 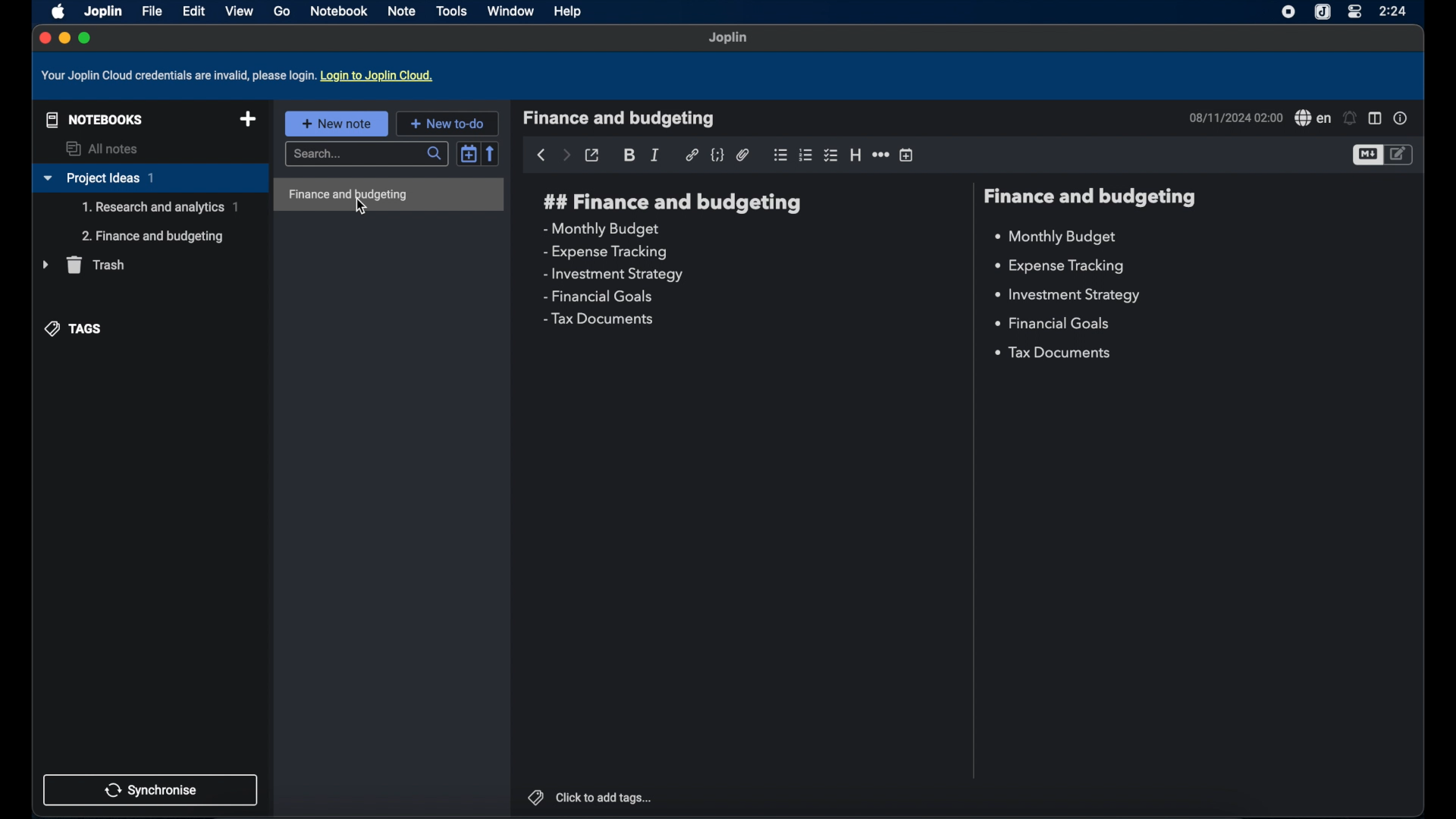 What do you see at coordinates (605, 252) in the screenshot?
I see `expense tracking` at bounding box center [605, 252].